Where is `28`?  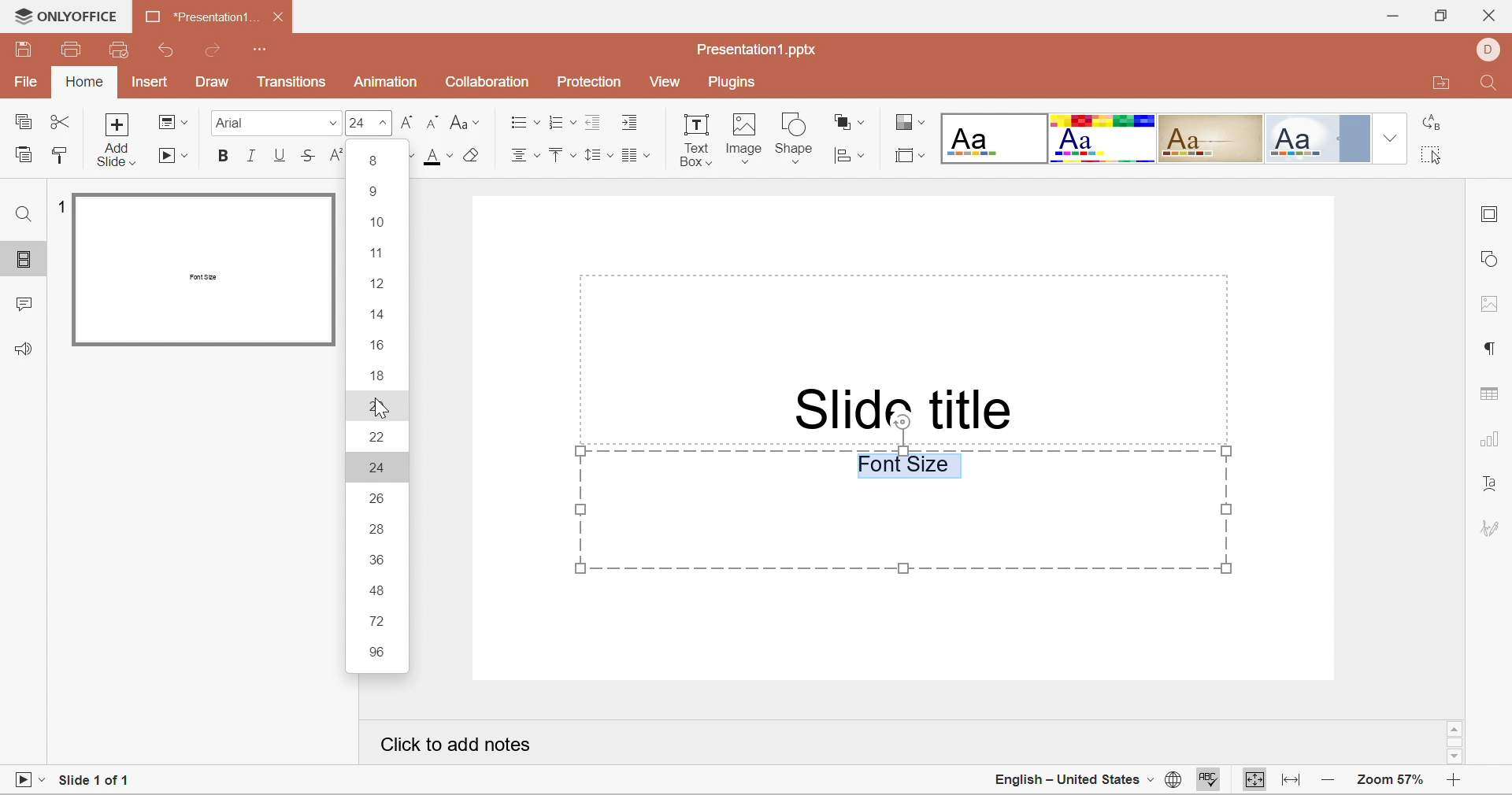 28 is located at coordinates (380, 531).